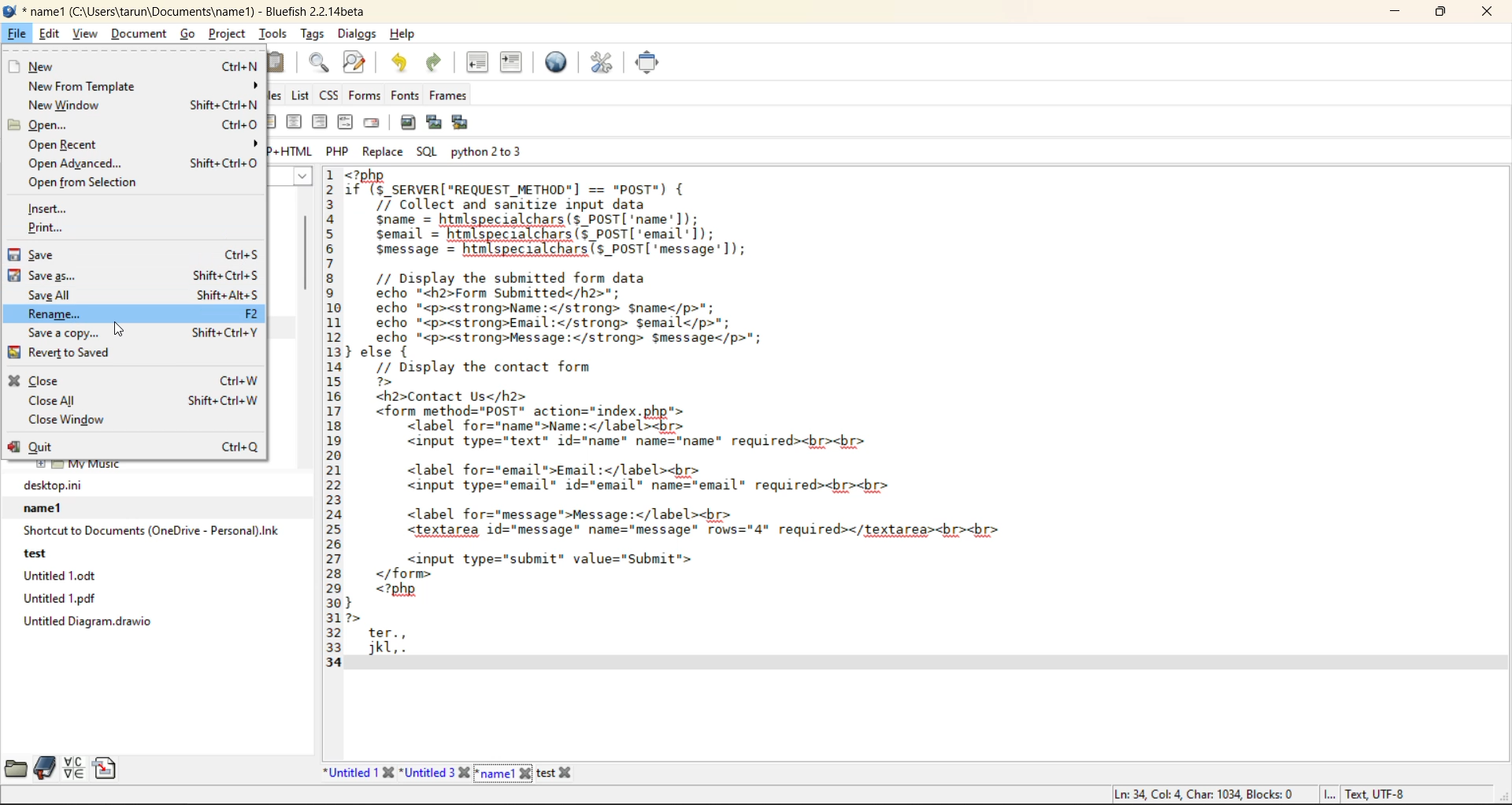  I want to click on edit, so click(51, 35).